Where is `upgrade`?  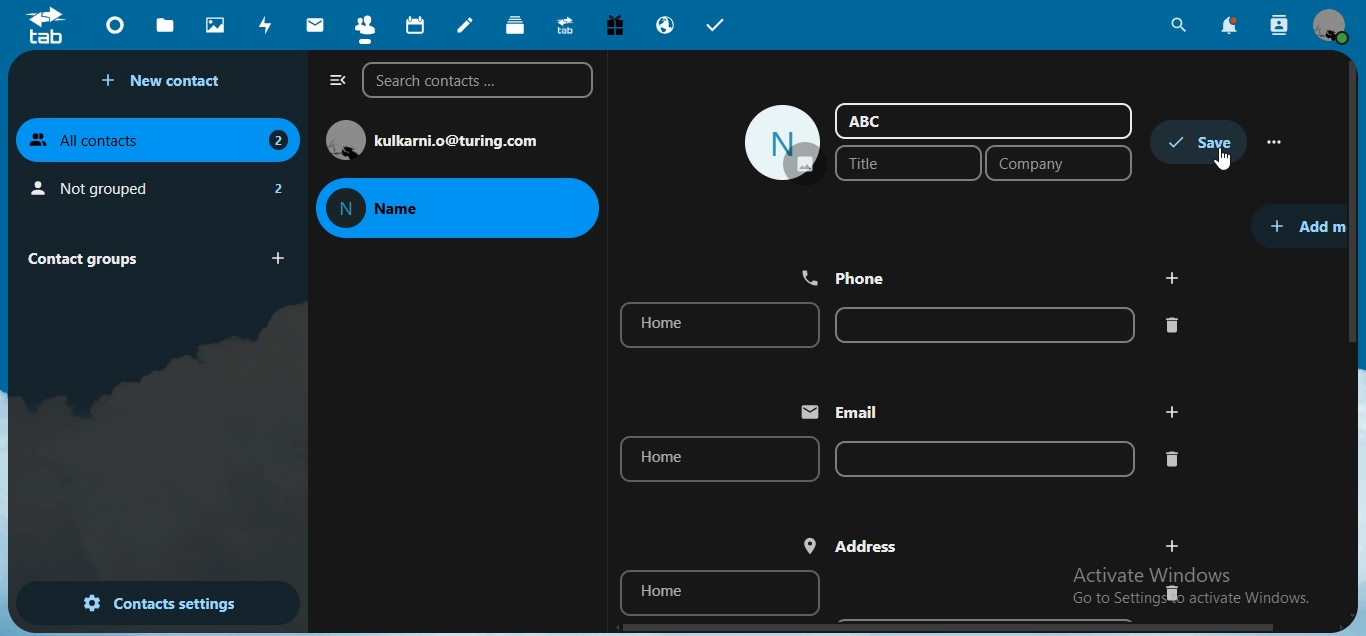
upgrade is located at coordinates (563, 24).